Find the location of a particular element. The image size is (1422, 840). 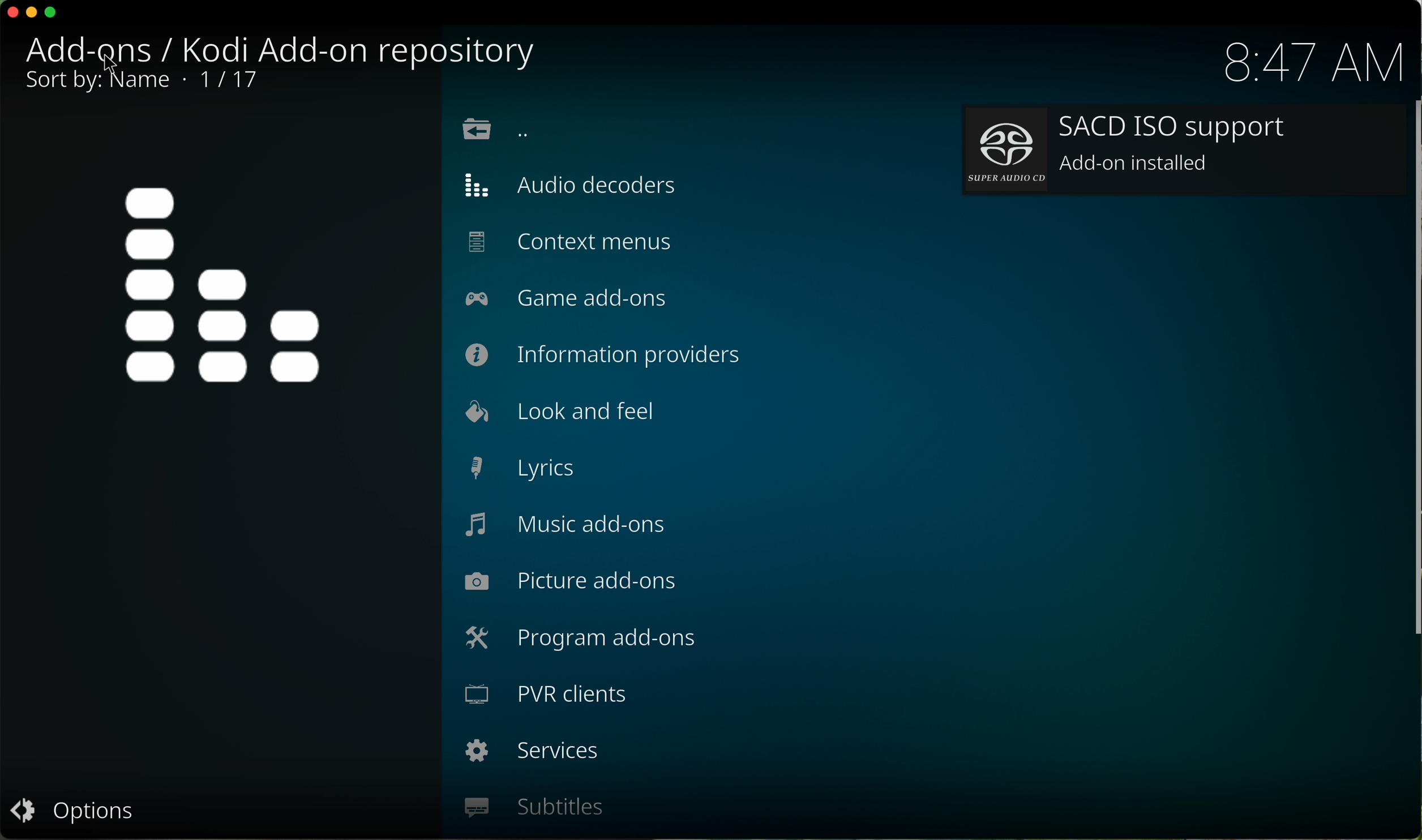

minimize is located at coordinates (33, 12).